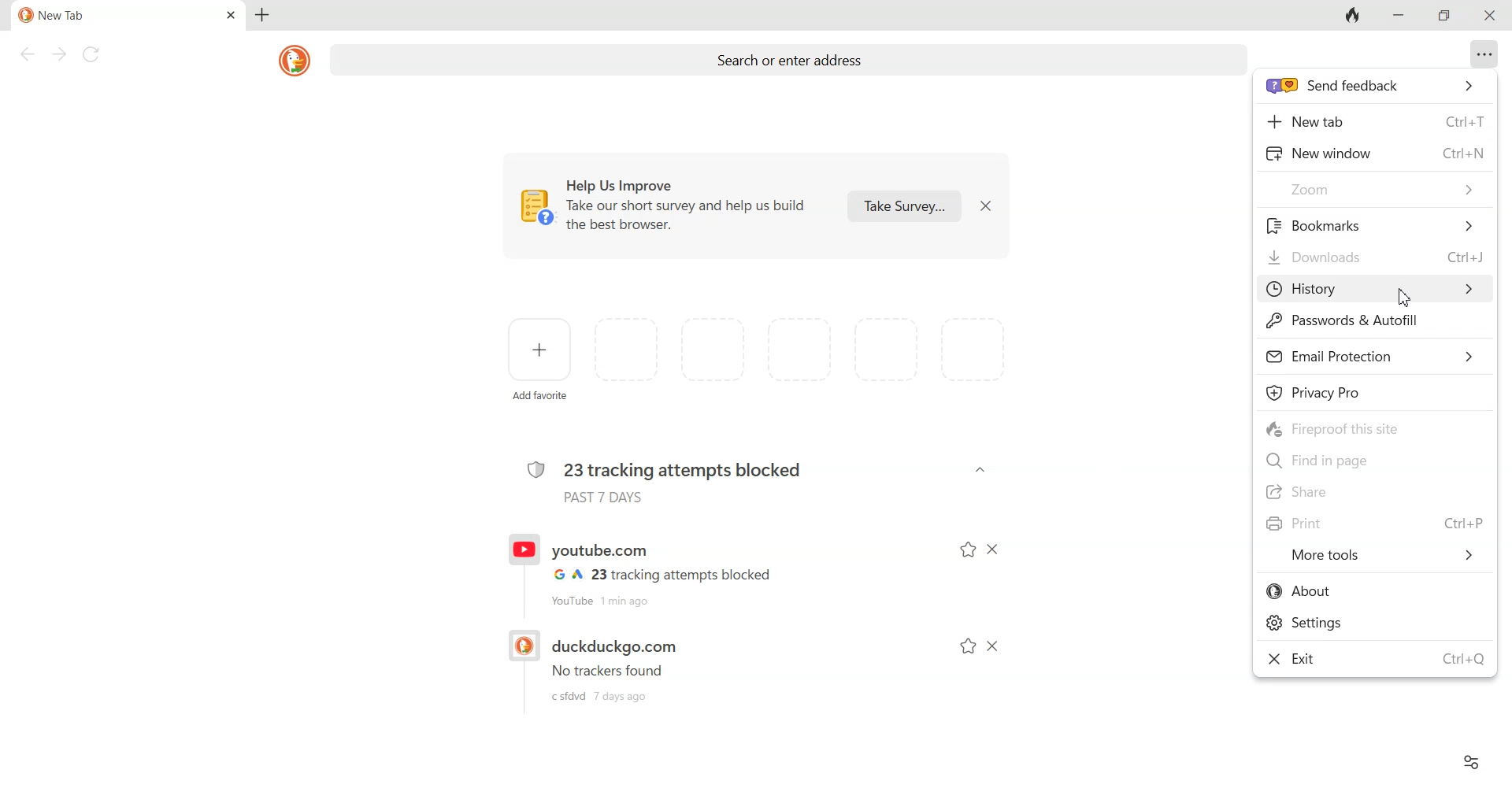  What do you see at coordinates (1375, 461) in the screenshot?
I see `Find in page` at bounding box center [1375, 461].